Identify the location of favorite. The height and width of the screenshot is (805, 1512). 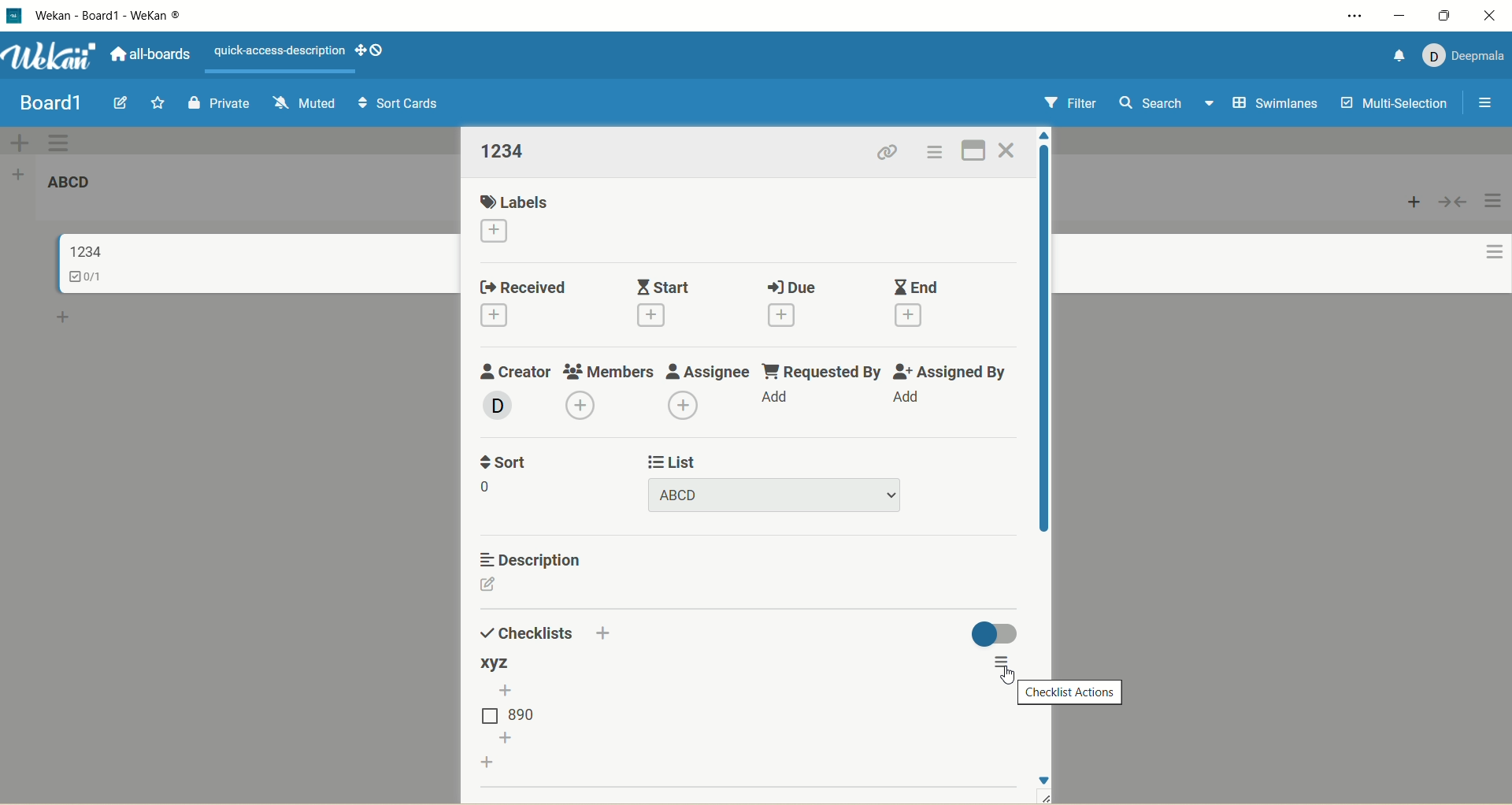
(159, 102).